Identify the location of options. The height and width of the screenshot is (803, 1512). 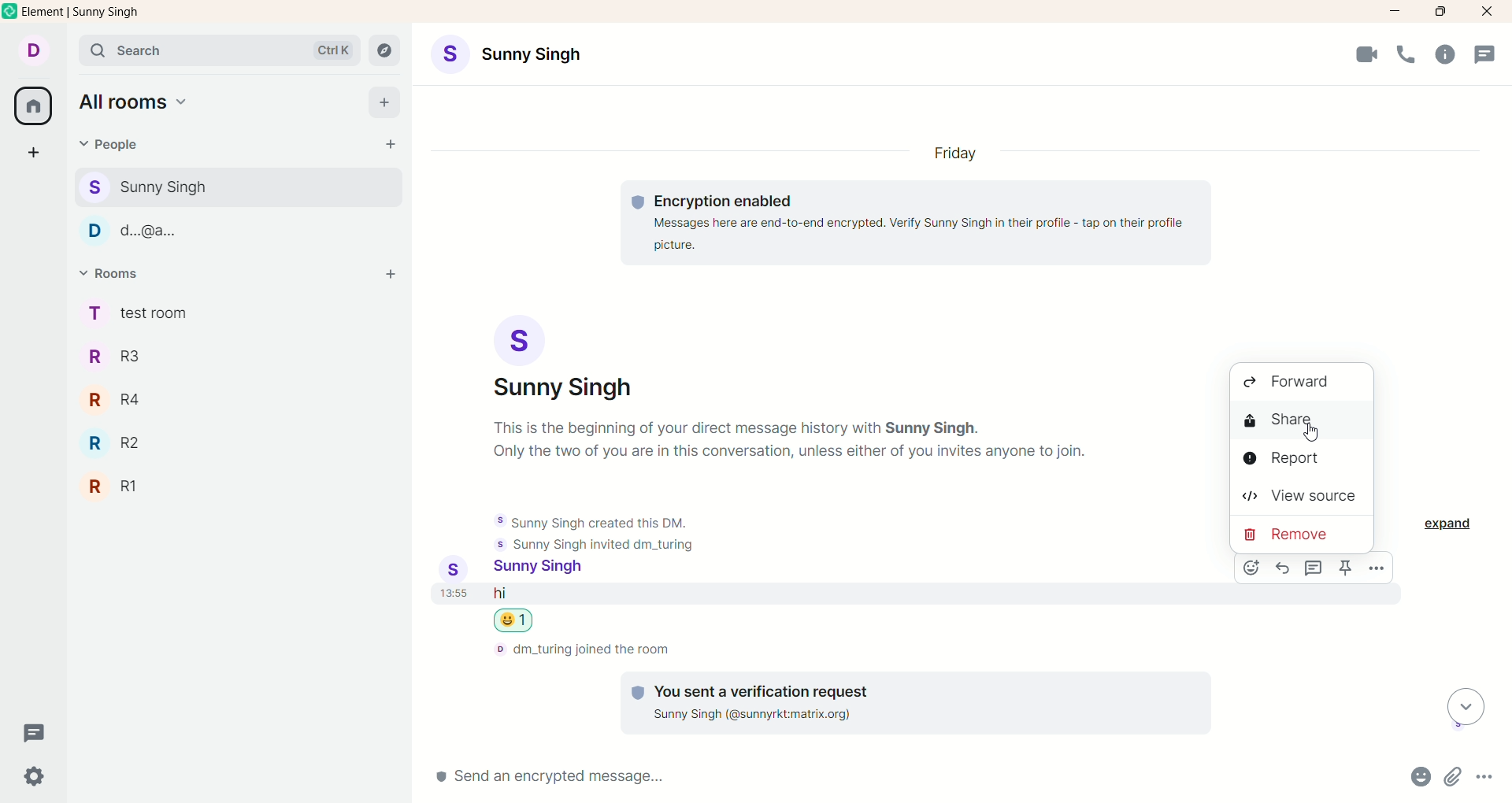
(1377, 567).